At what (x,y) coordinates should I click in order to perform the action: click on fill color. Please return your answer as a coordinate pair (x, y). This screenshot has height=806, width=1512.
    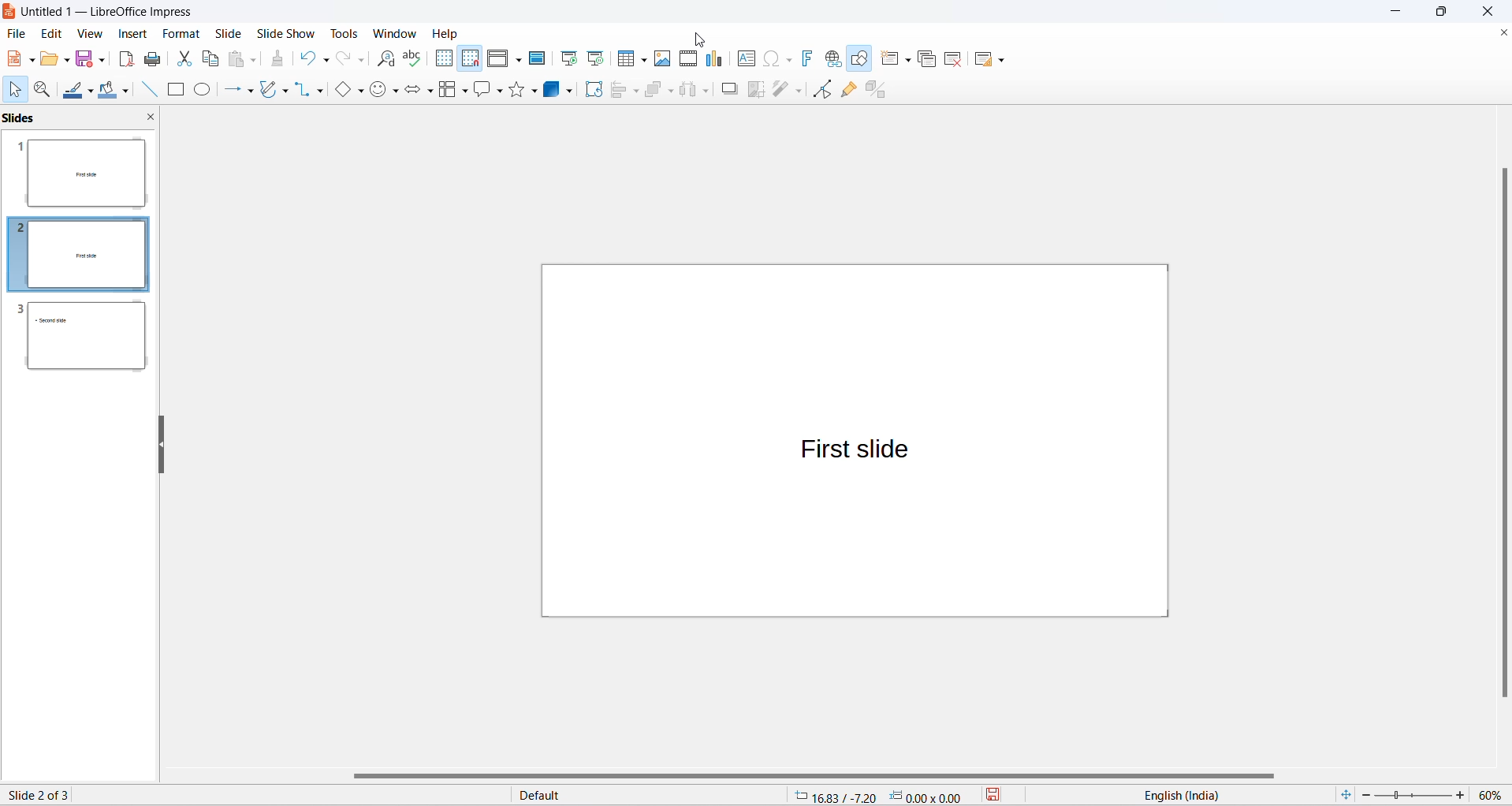
    Looking at the image, I should click on (108, 88).